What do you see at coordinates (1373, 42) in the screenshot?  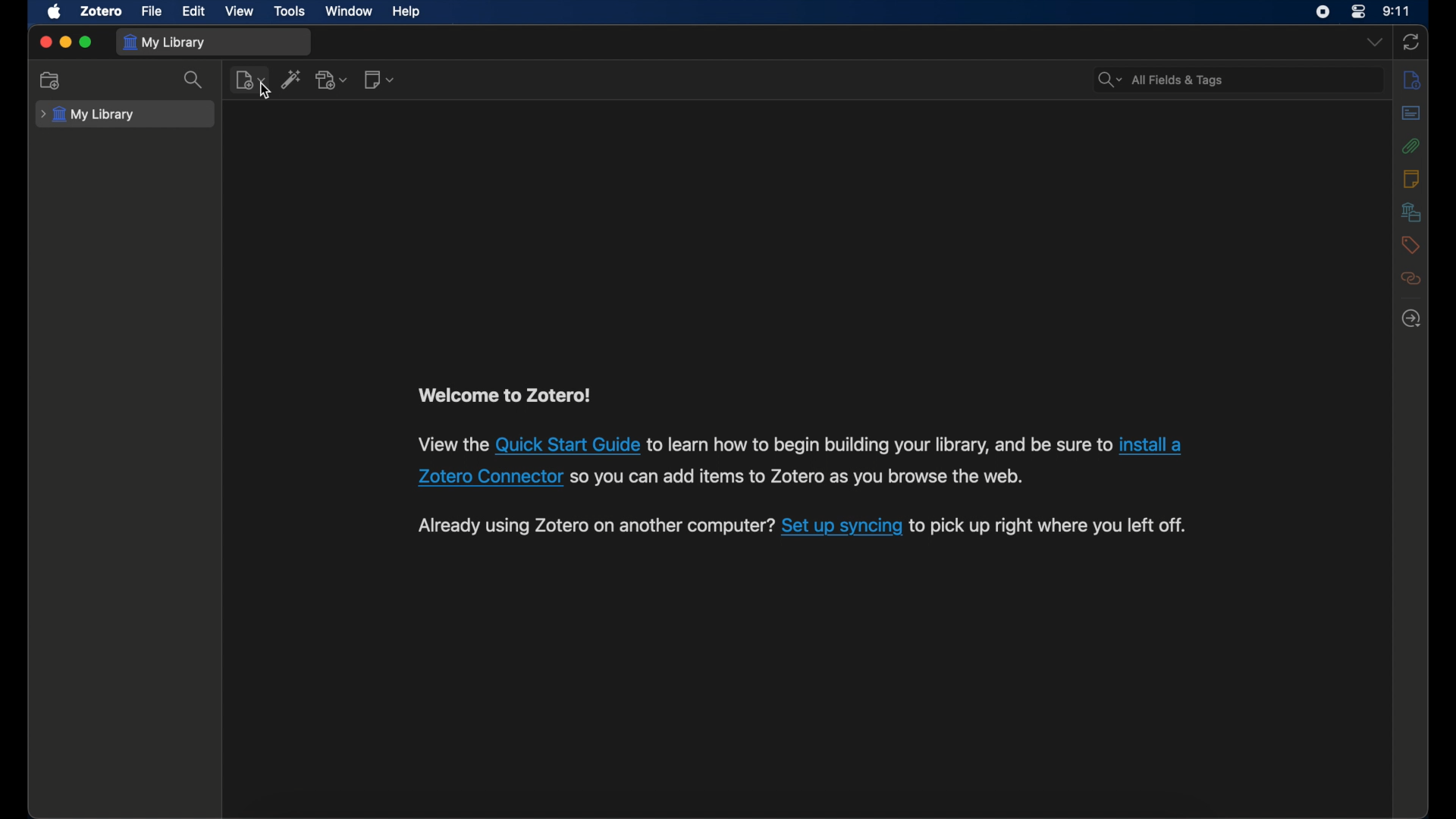 I see `dropdown` at bounding box center [1373, 42].